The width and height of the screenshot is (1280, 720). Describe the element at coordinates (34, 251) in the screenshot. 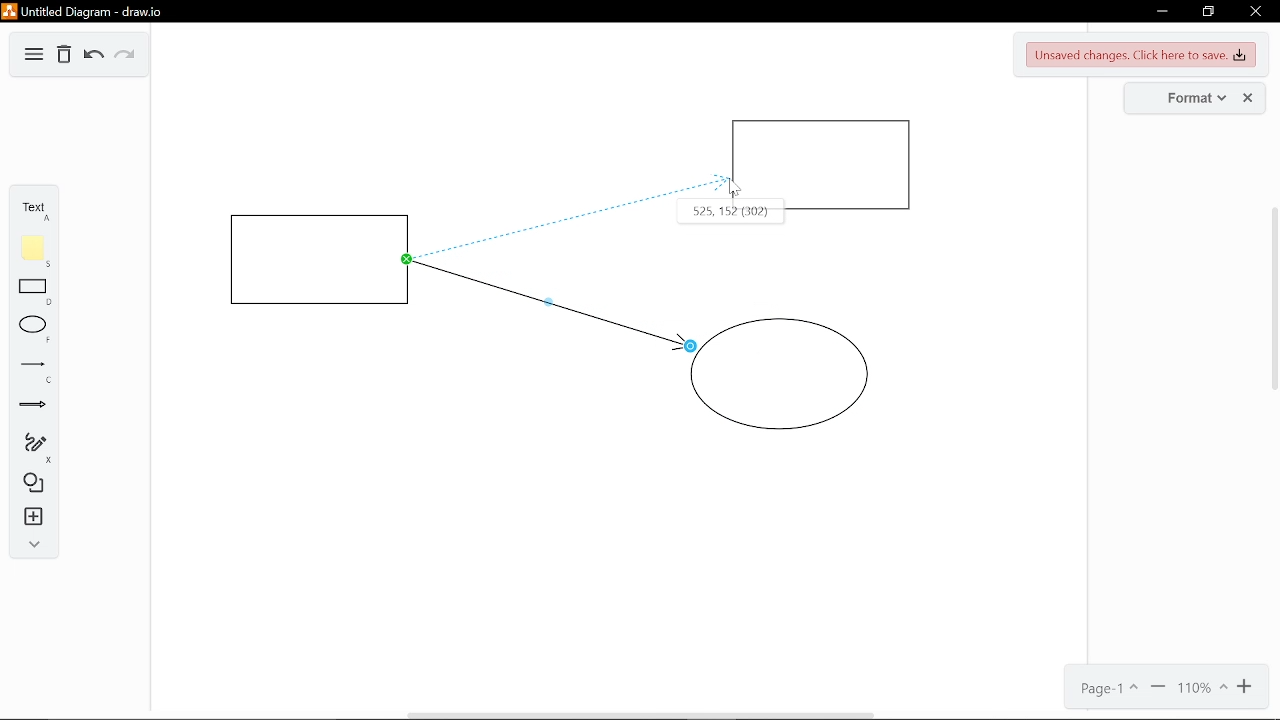

I see `Note` at that location.